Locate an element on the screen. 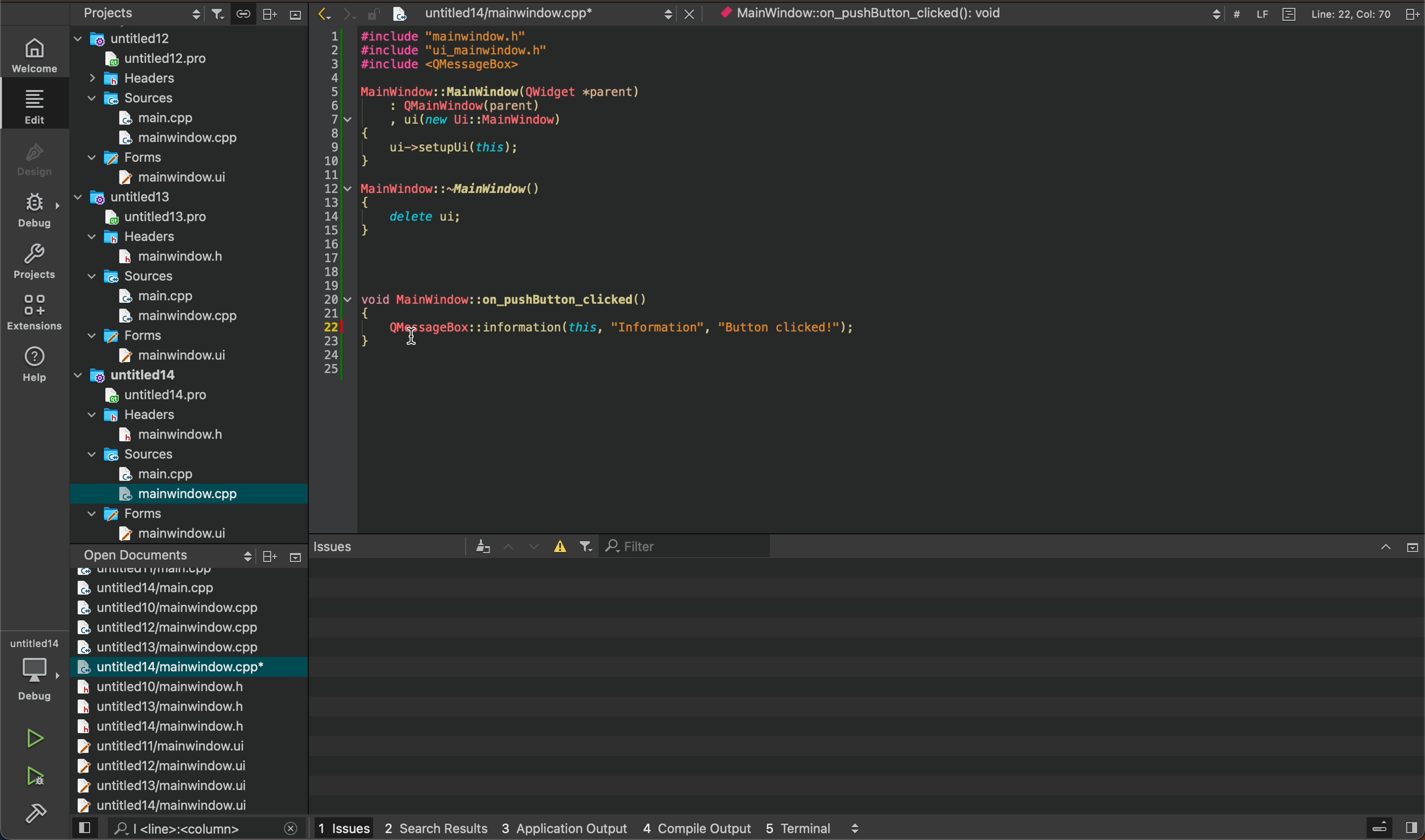 The height and width of the screenshot is (840, 1425). arrows is located at coordinates (362, 12).